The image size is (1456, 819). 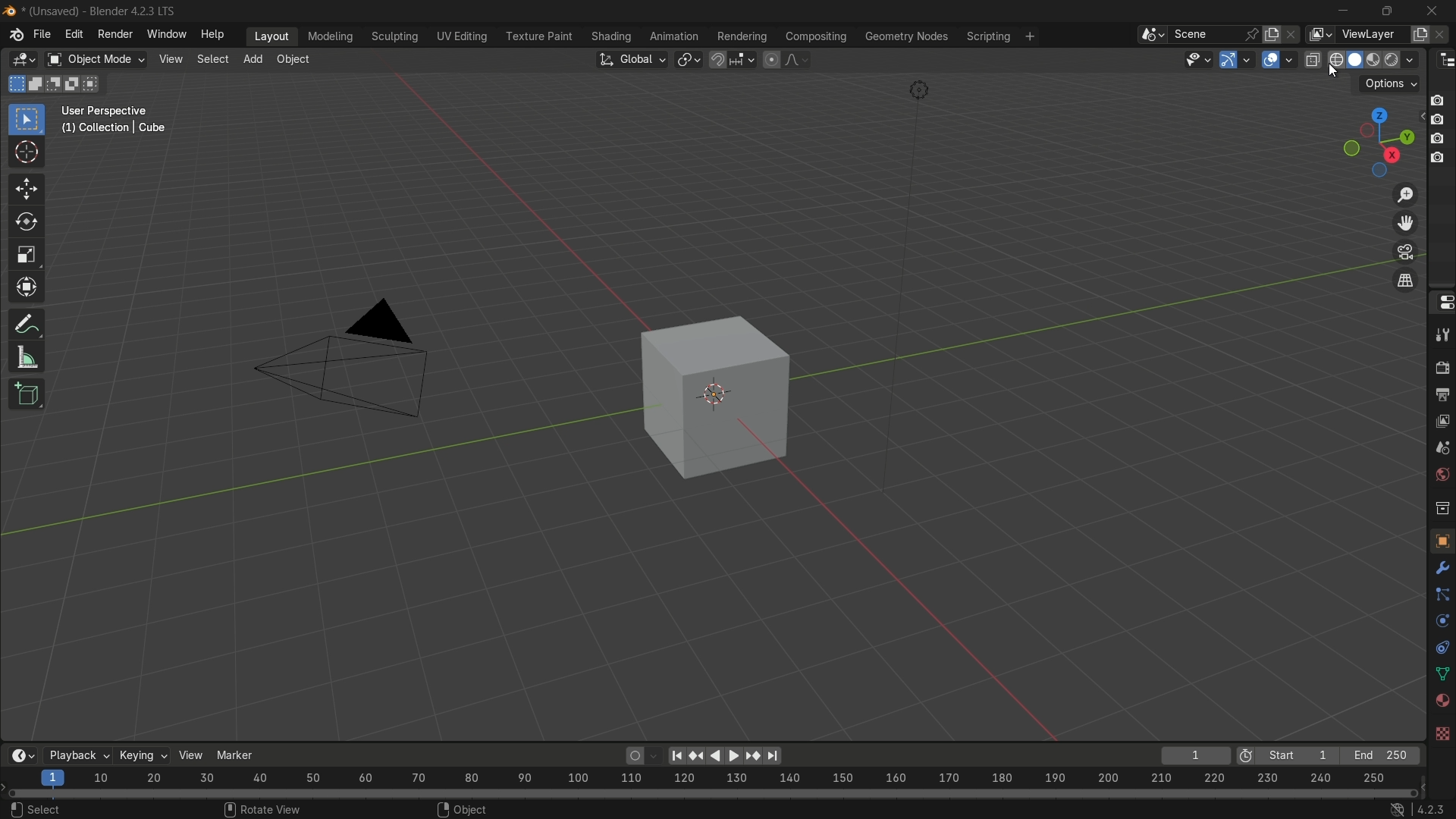 What do you see at coordinates (56, 83) in the screenshot?
I see `modes` at bounding box center [56, 83].